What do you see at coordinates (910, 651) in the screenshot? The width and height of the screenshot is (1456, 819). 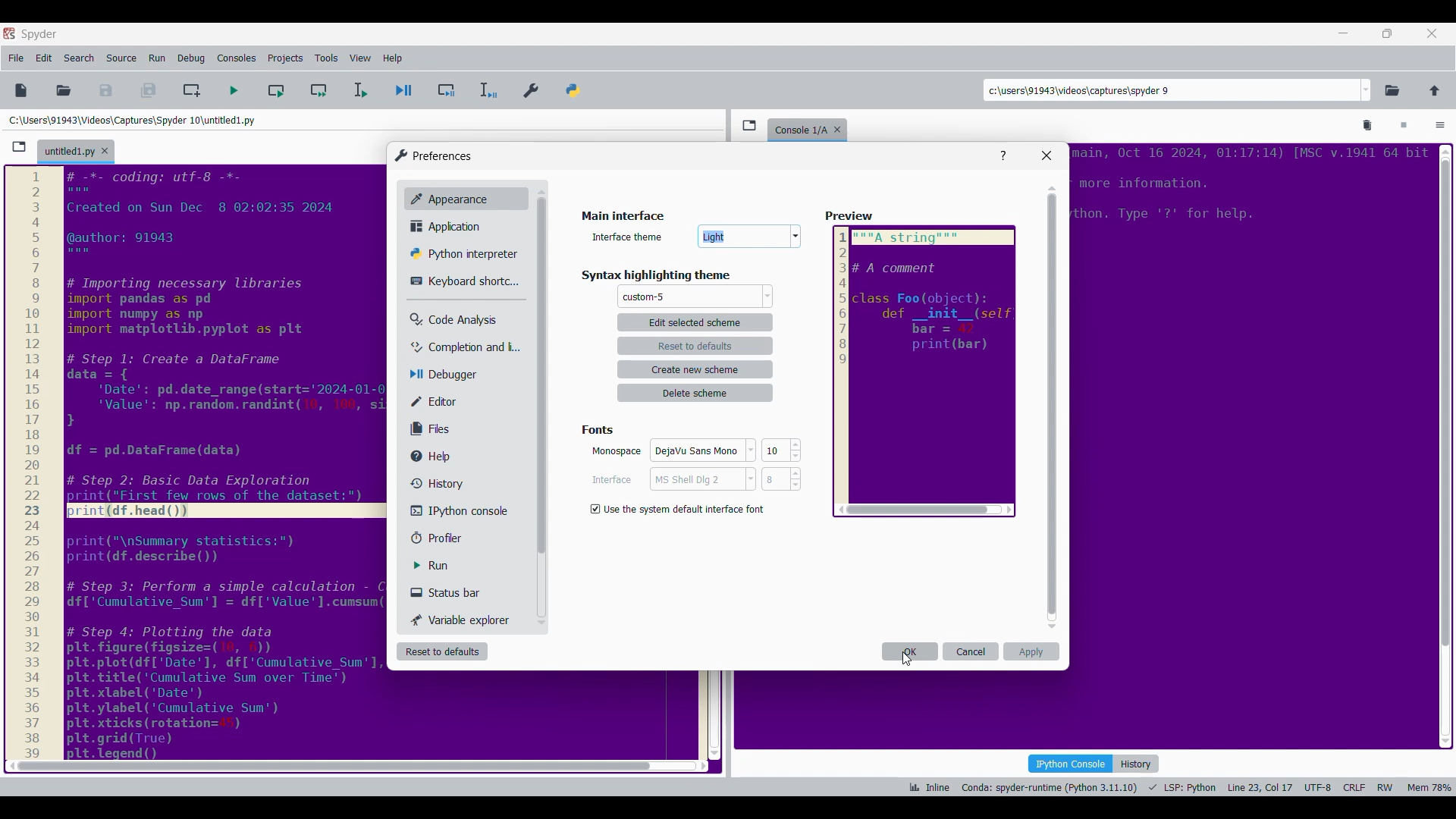 I see `OK` at bounding box center [910, 651].